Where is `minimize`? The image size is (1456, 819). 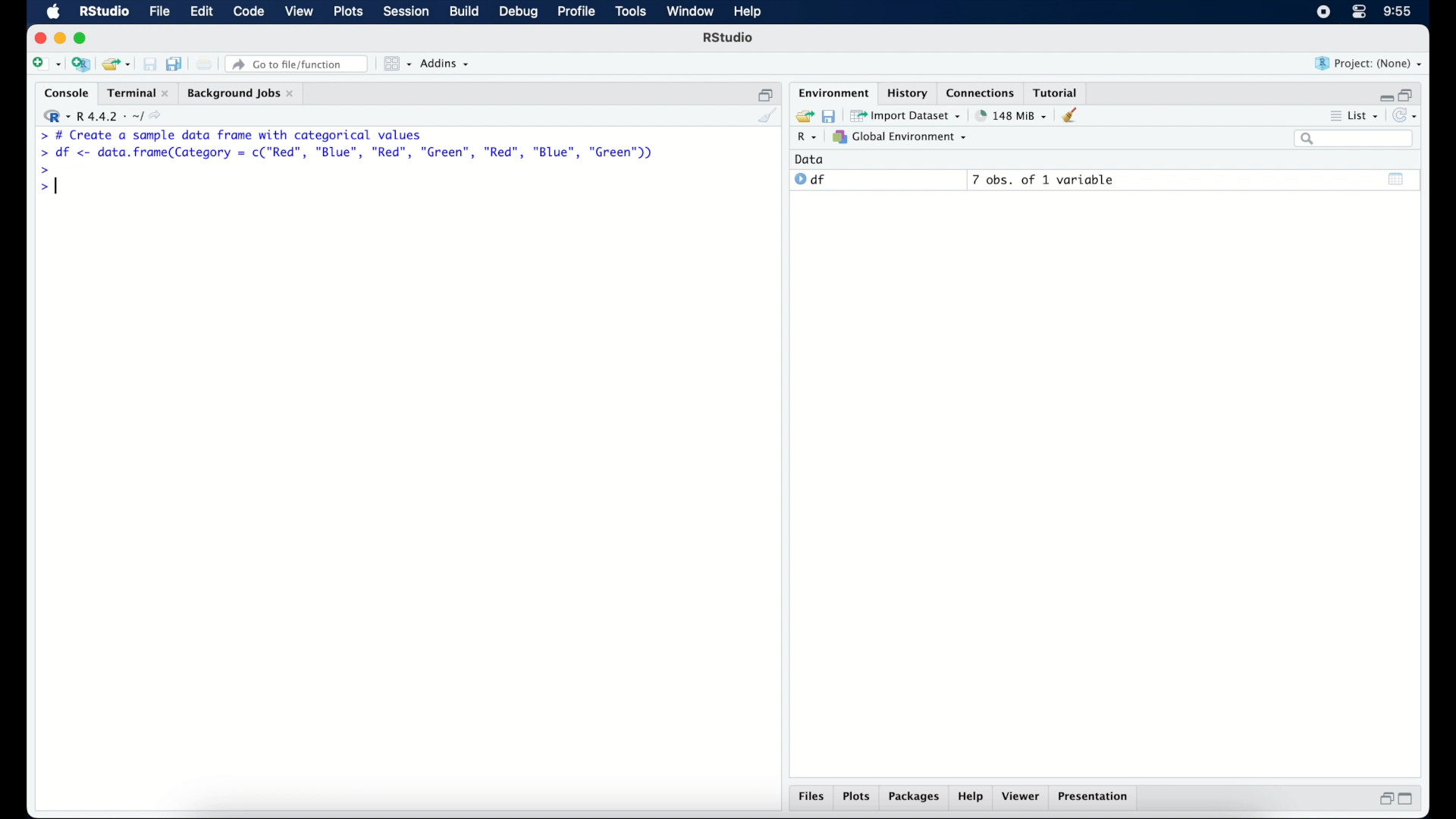 minimize is located at coordinates (1383, 95).